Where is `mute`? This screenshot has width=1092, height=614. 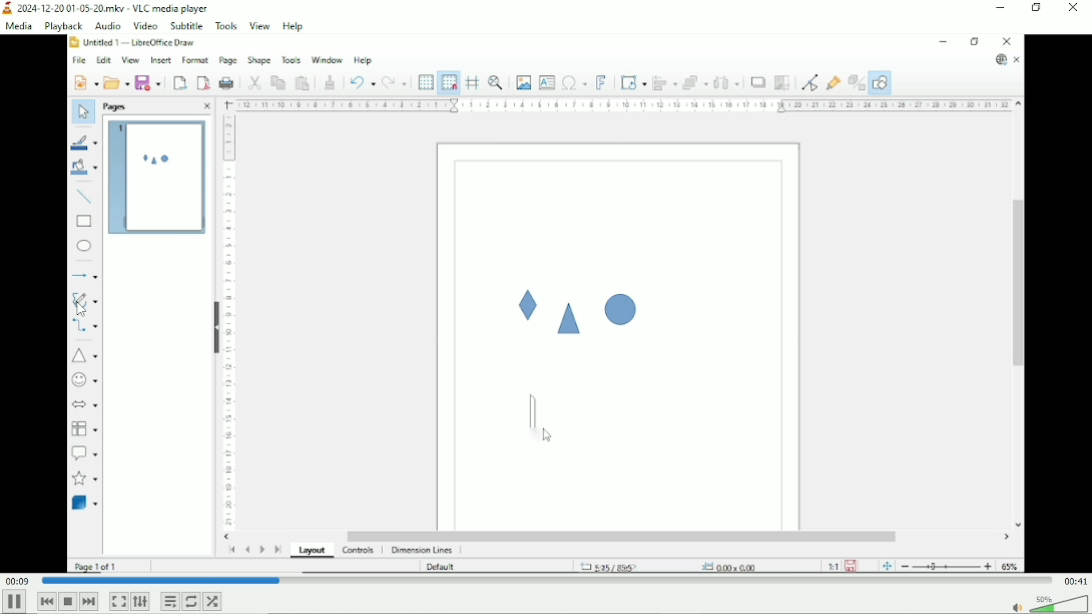 mute is located at coordinates (1017, 607).